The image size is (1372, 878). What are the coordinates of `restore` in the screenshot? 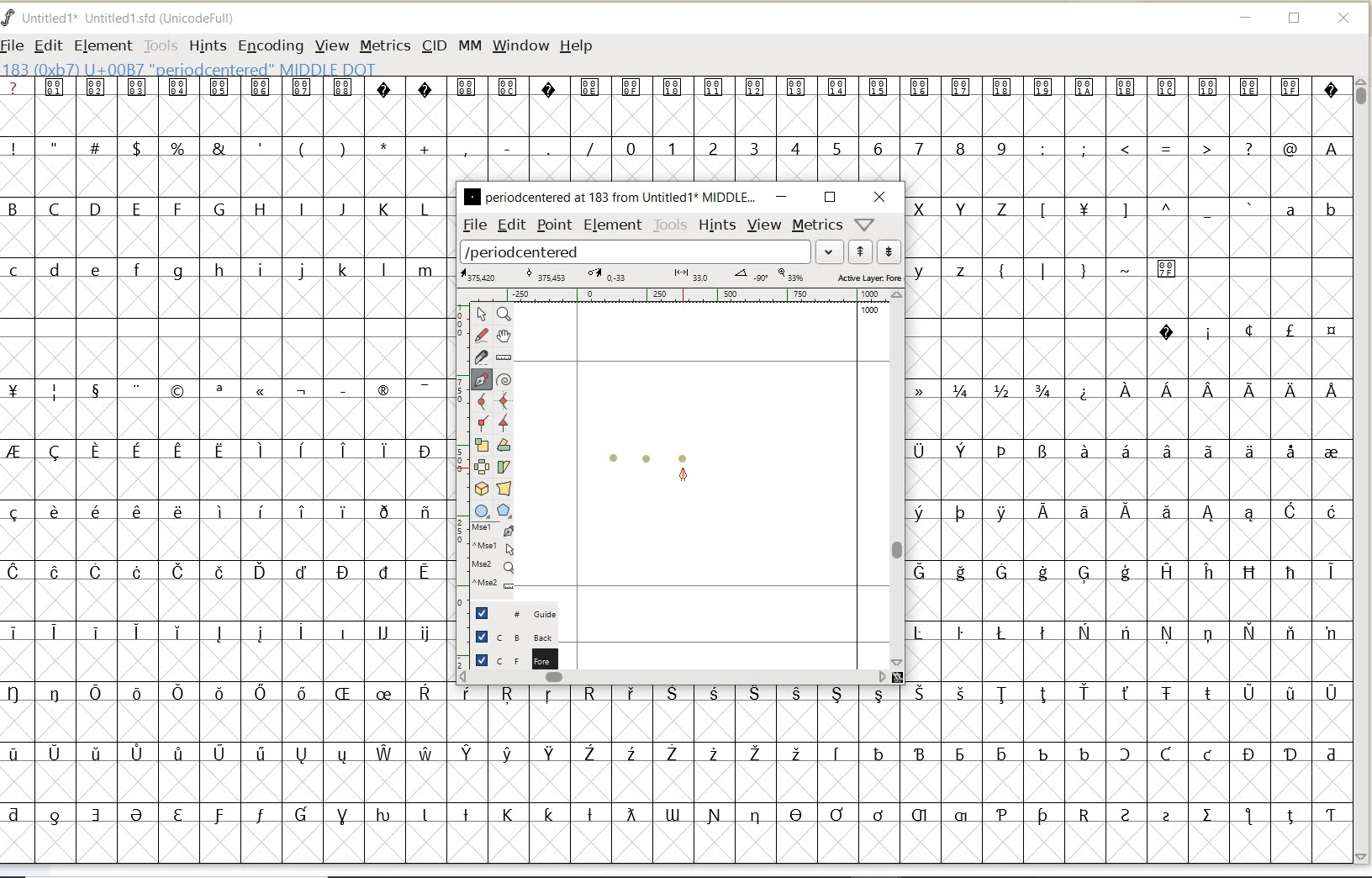 It's located at (830, 196).